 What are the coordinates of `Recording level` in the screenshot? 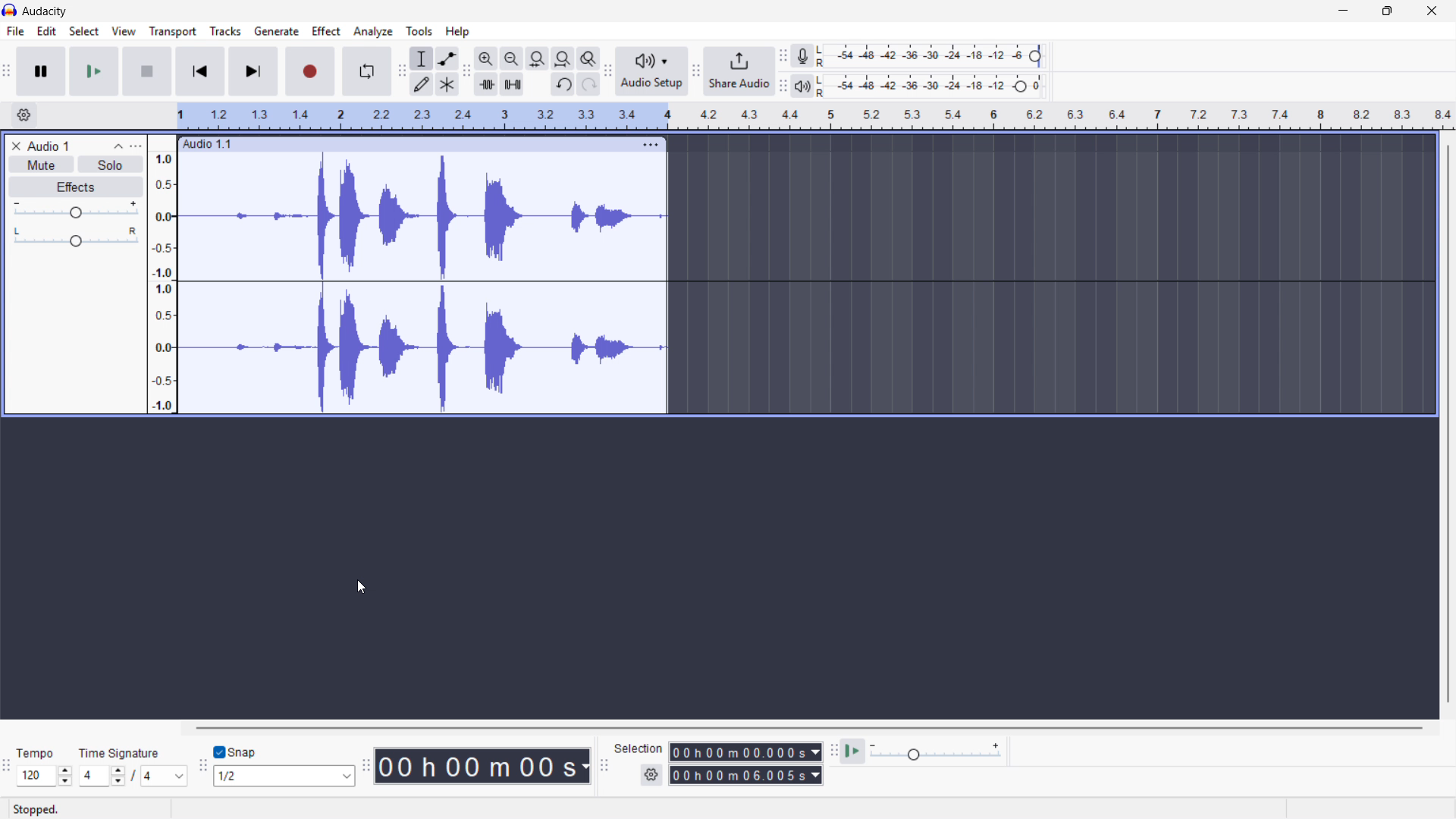 It's located at (934, 56).